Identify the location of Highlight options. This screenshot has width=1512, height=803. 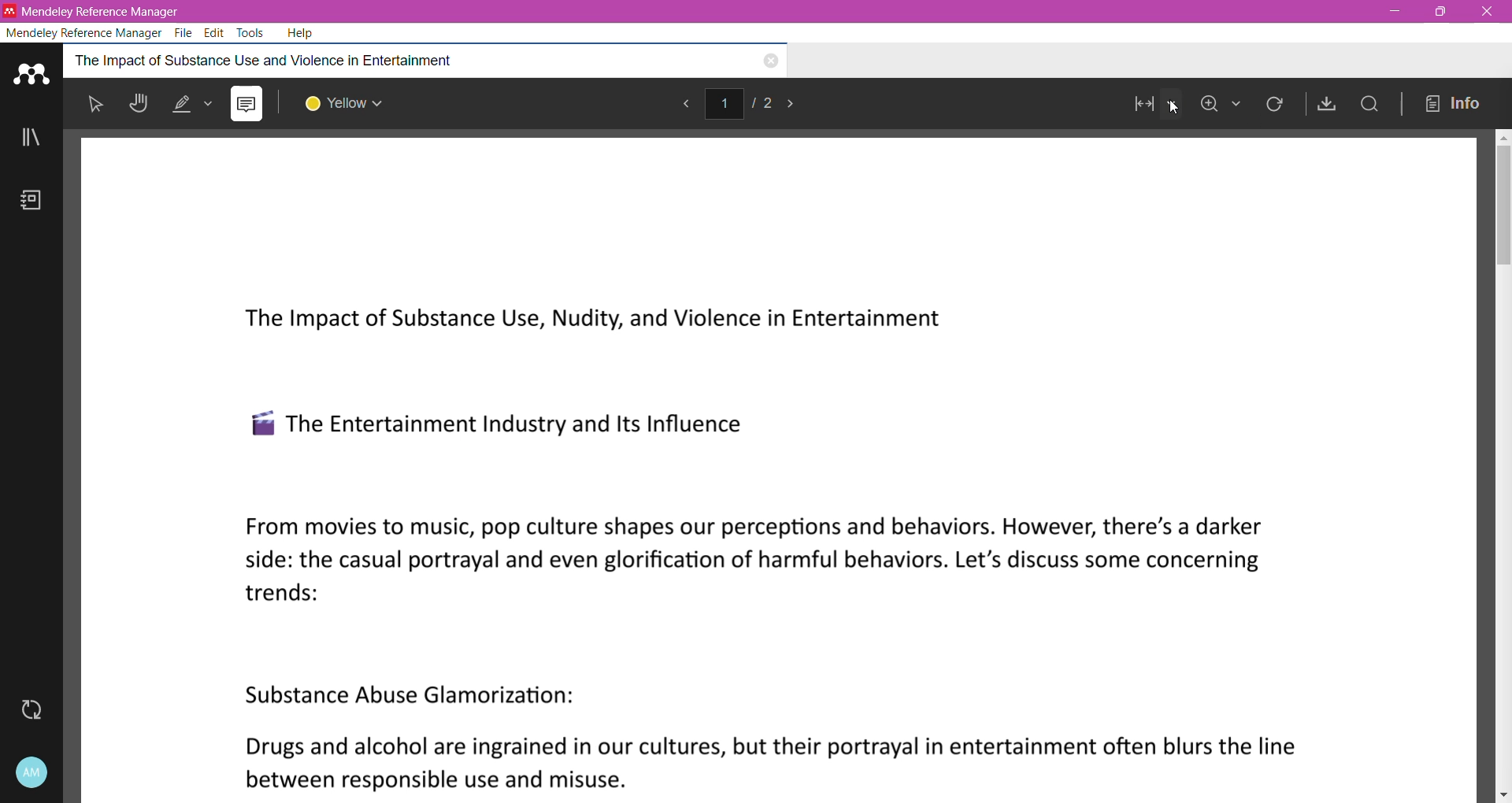
(195, 105).